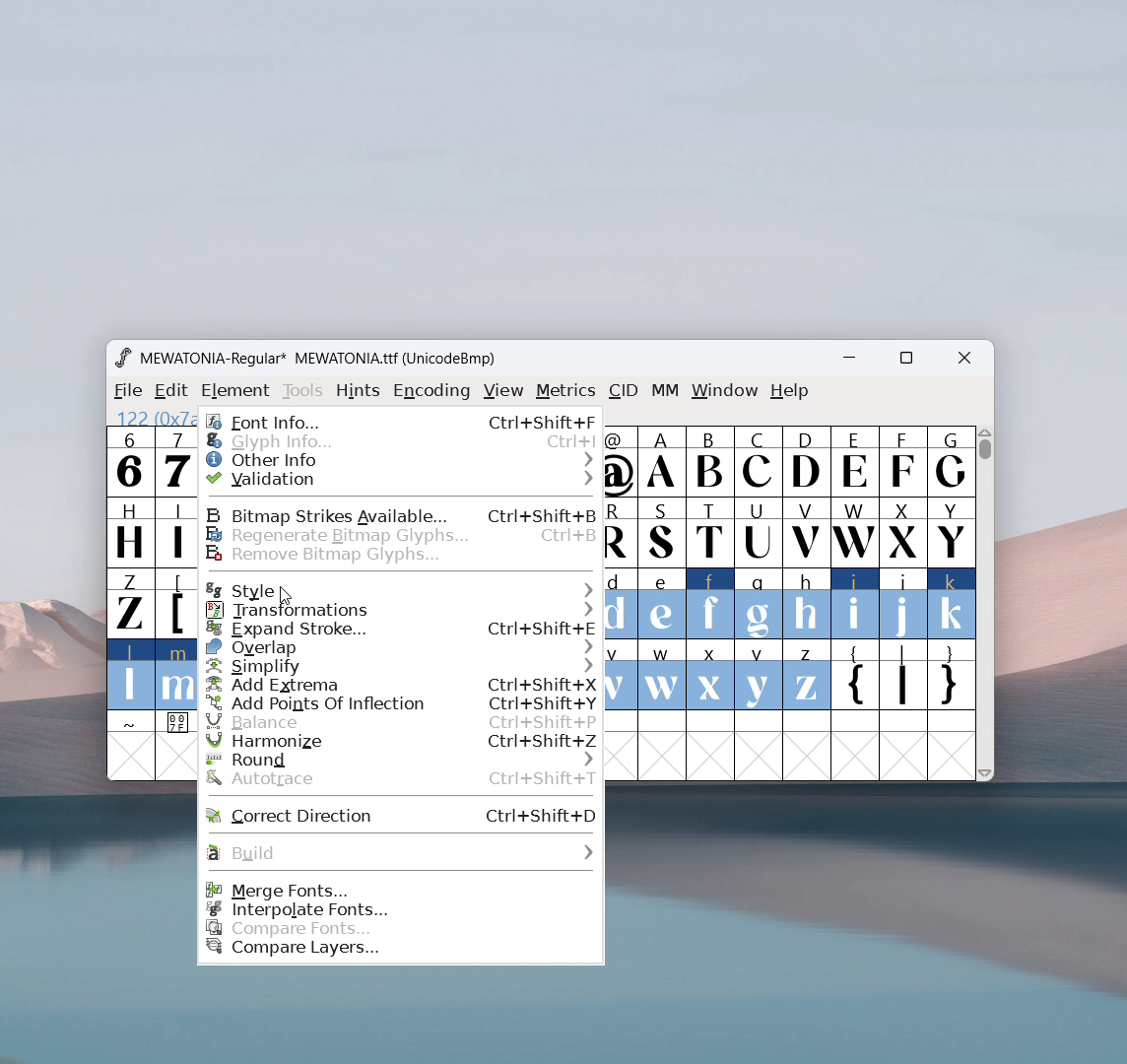 This screenshot has width=1127, height=1064. What do you see at coordinates (402, 952) in the screenshot?
I see `compare layers` at bounding box center [402, 952].